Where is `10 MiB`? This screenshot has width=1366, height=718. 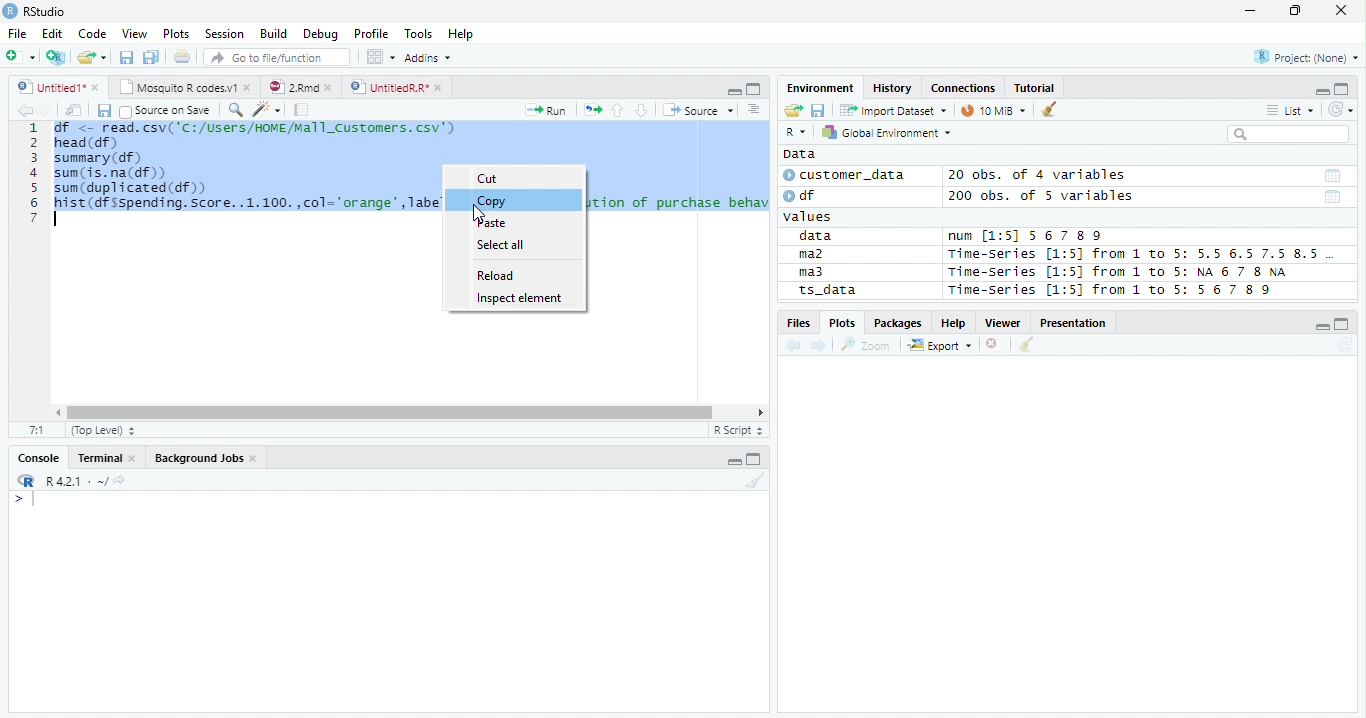
10 MiB is located at coordinates (995, 110).